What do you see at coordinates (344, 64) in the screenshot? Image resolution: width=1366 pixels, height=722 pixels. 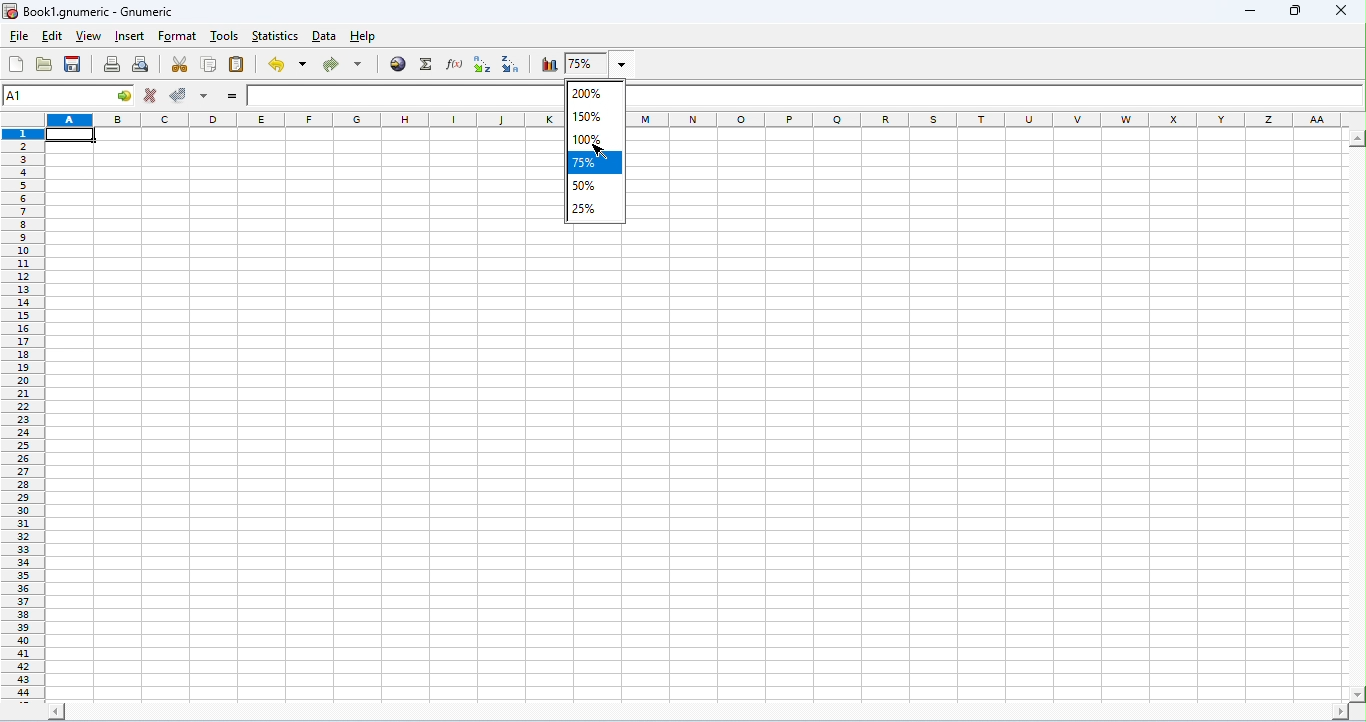 I see `redo` at bounding box center [344, 64].